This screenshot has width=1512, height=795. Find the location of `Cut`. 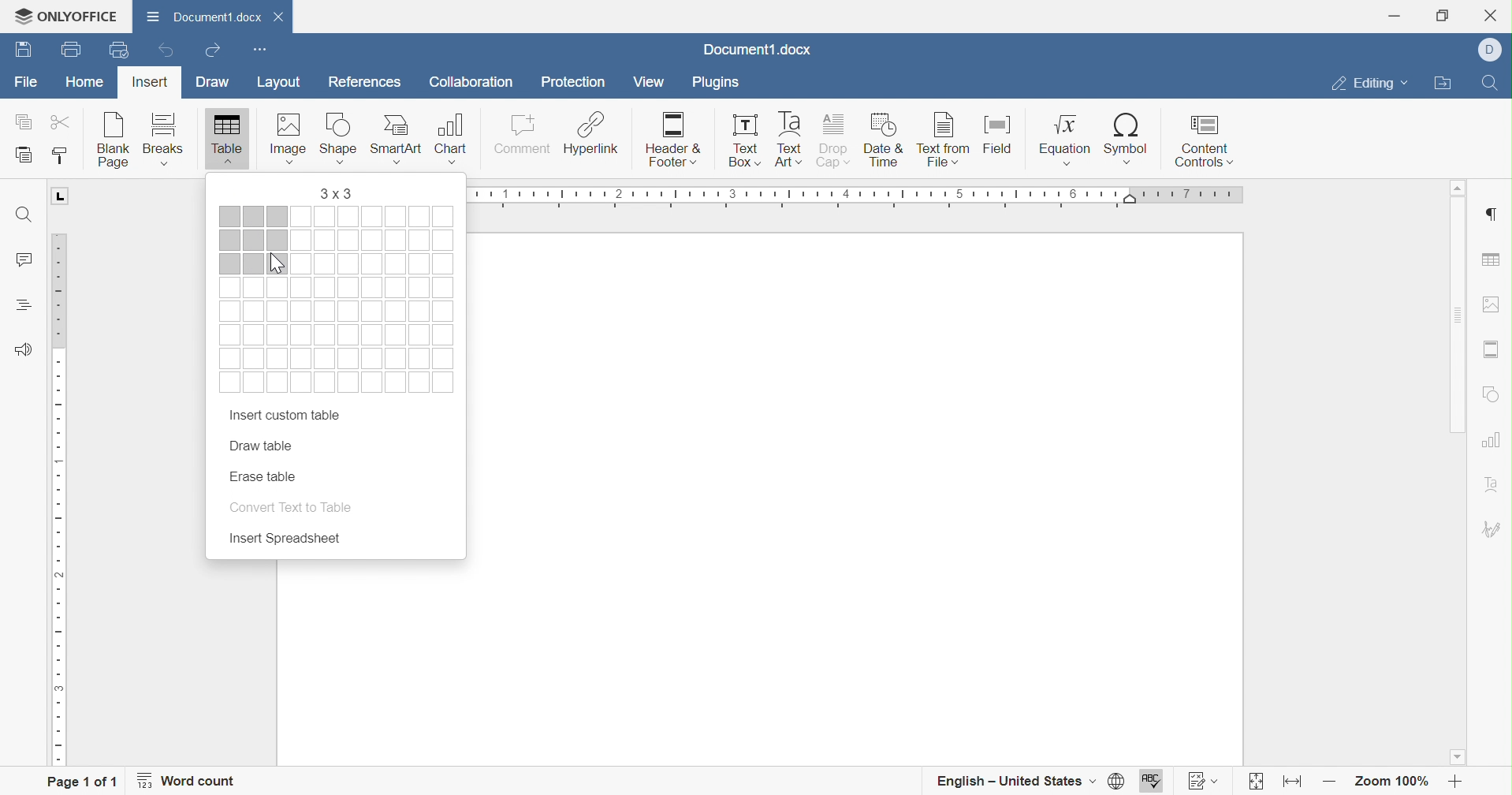

Cut is located at coordinates (62, 121).